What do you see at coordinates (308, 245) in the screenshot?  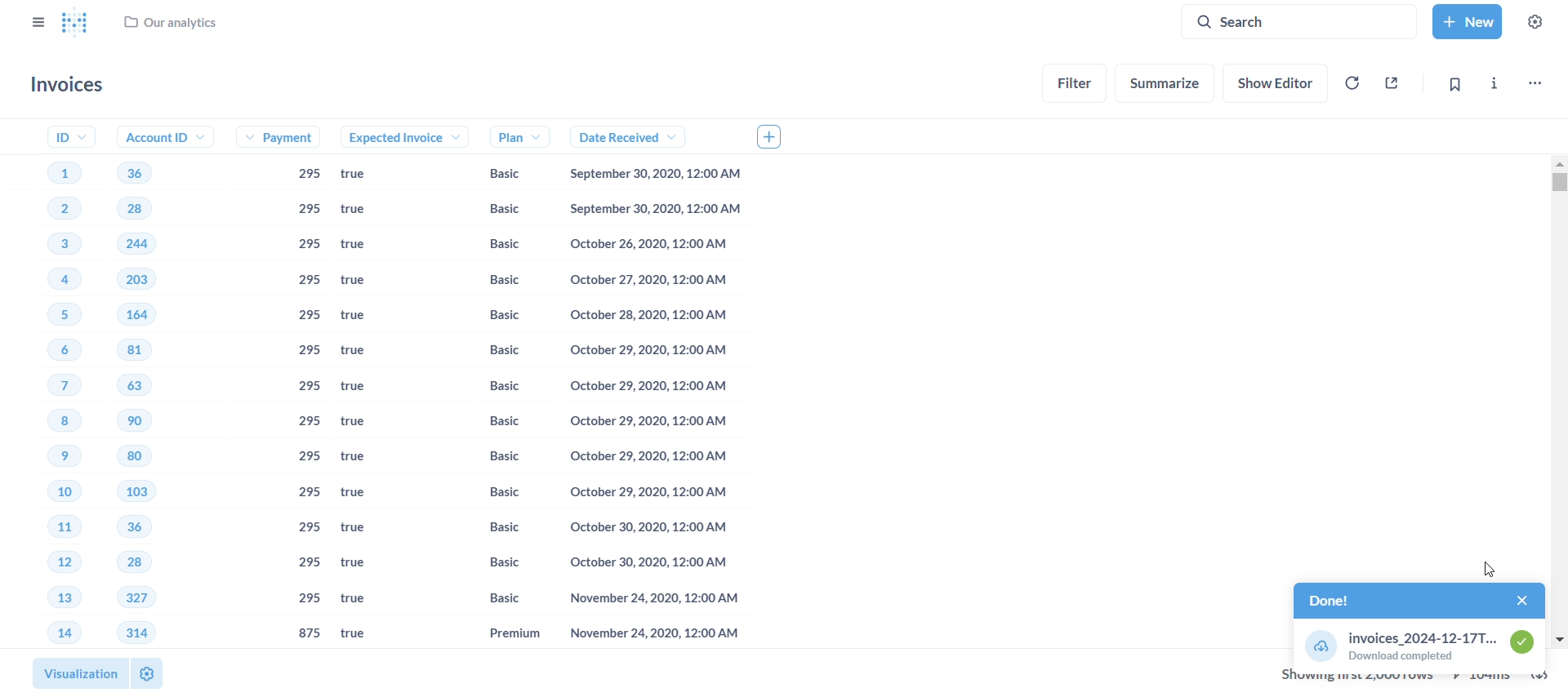 I see `295` at bounding box center [308, 245].